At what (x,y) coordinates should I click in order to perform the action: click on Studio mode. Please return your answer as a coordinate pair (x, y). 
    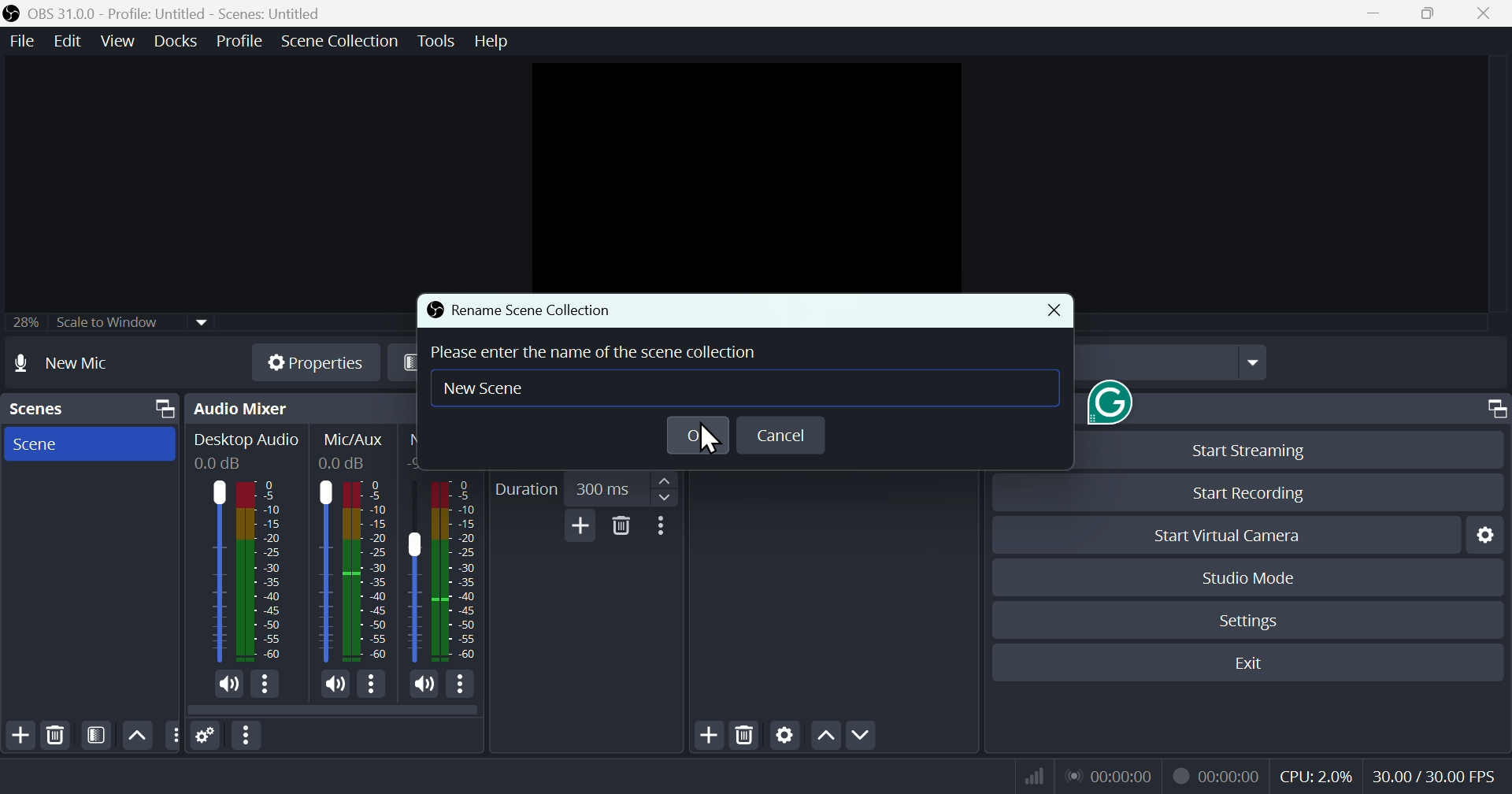
    Looking at the image, I should click on (1266, 580).